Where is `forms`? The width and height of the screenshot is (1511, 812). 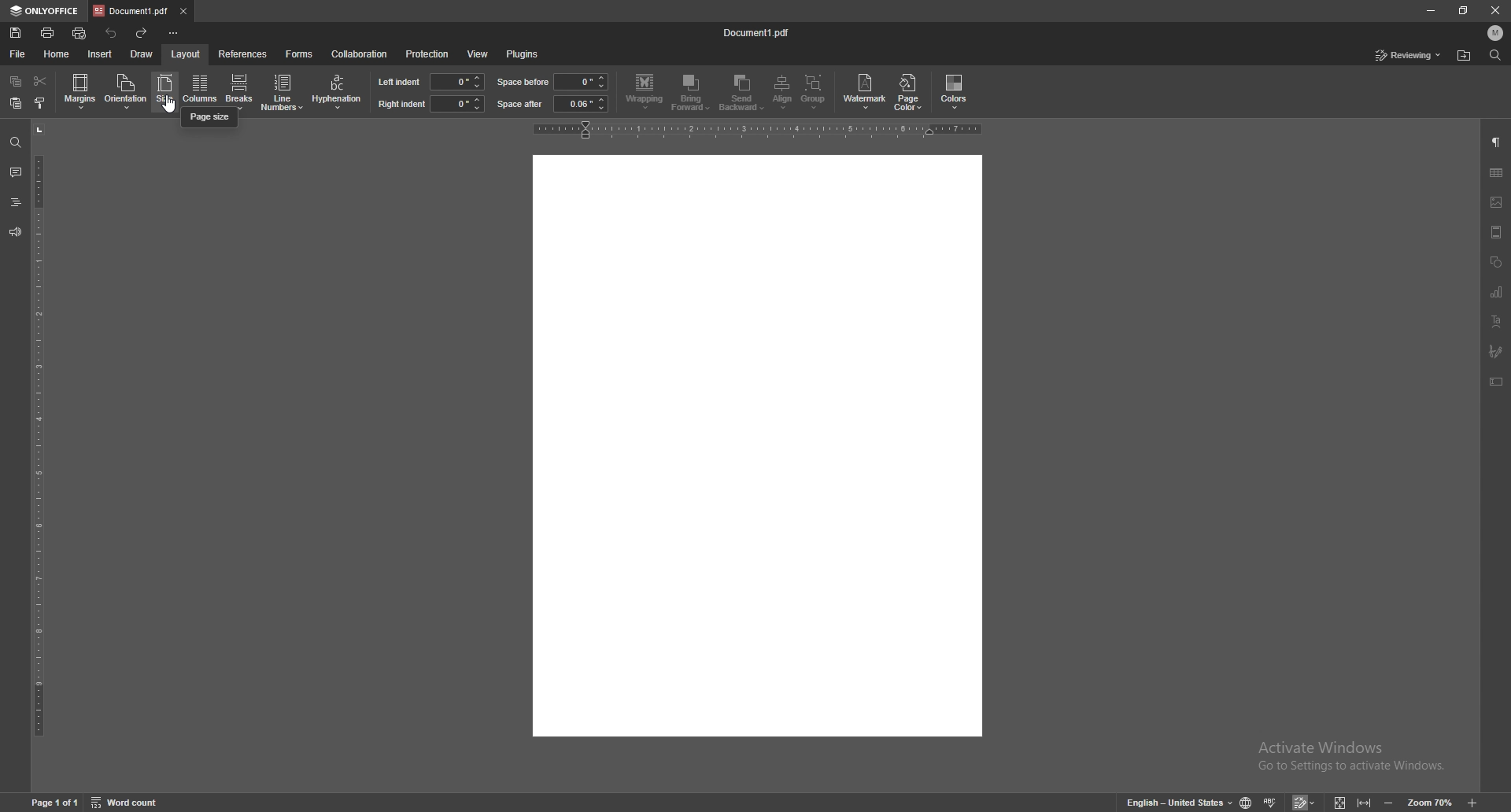
forms is located at coordinates (300, 54).